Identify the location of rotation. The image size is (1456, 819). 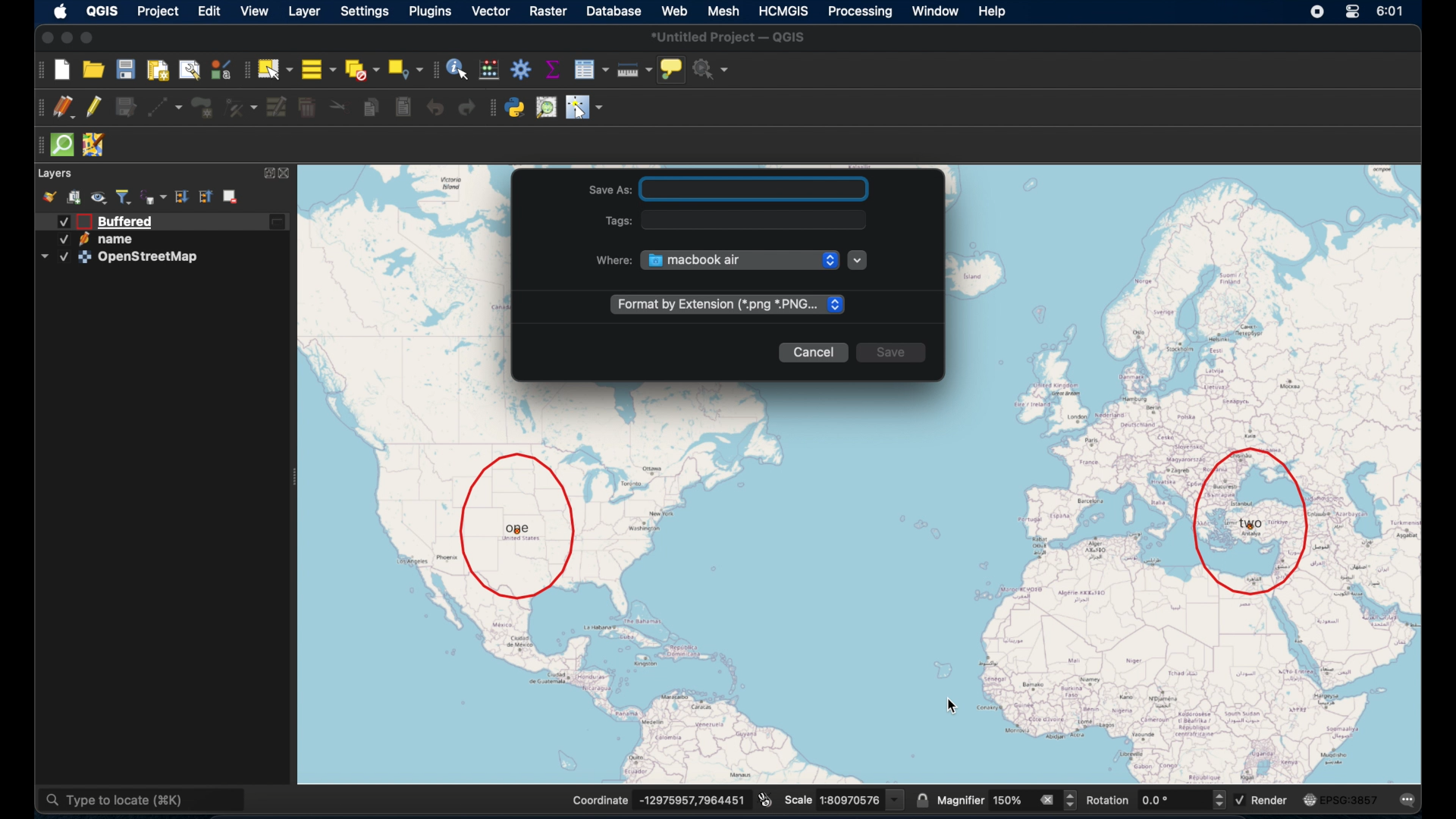
(1107, 801).